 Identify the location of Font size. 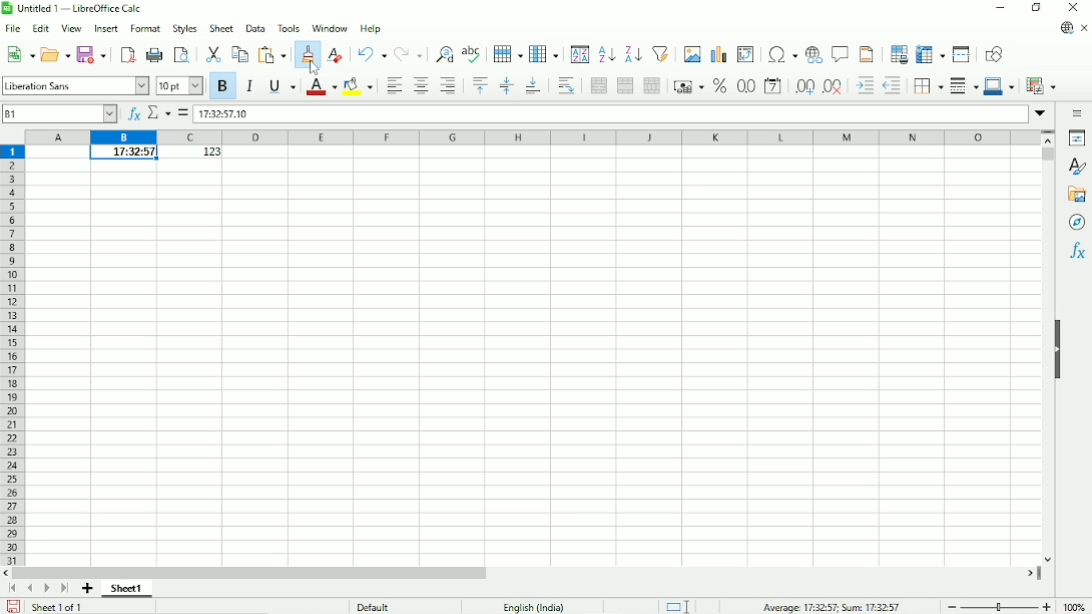
(178, 86).